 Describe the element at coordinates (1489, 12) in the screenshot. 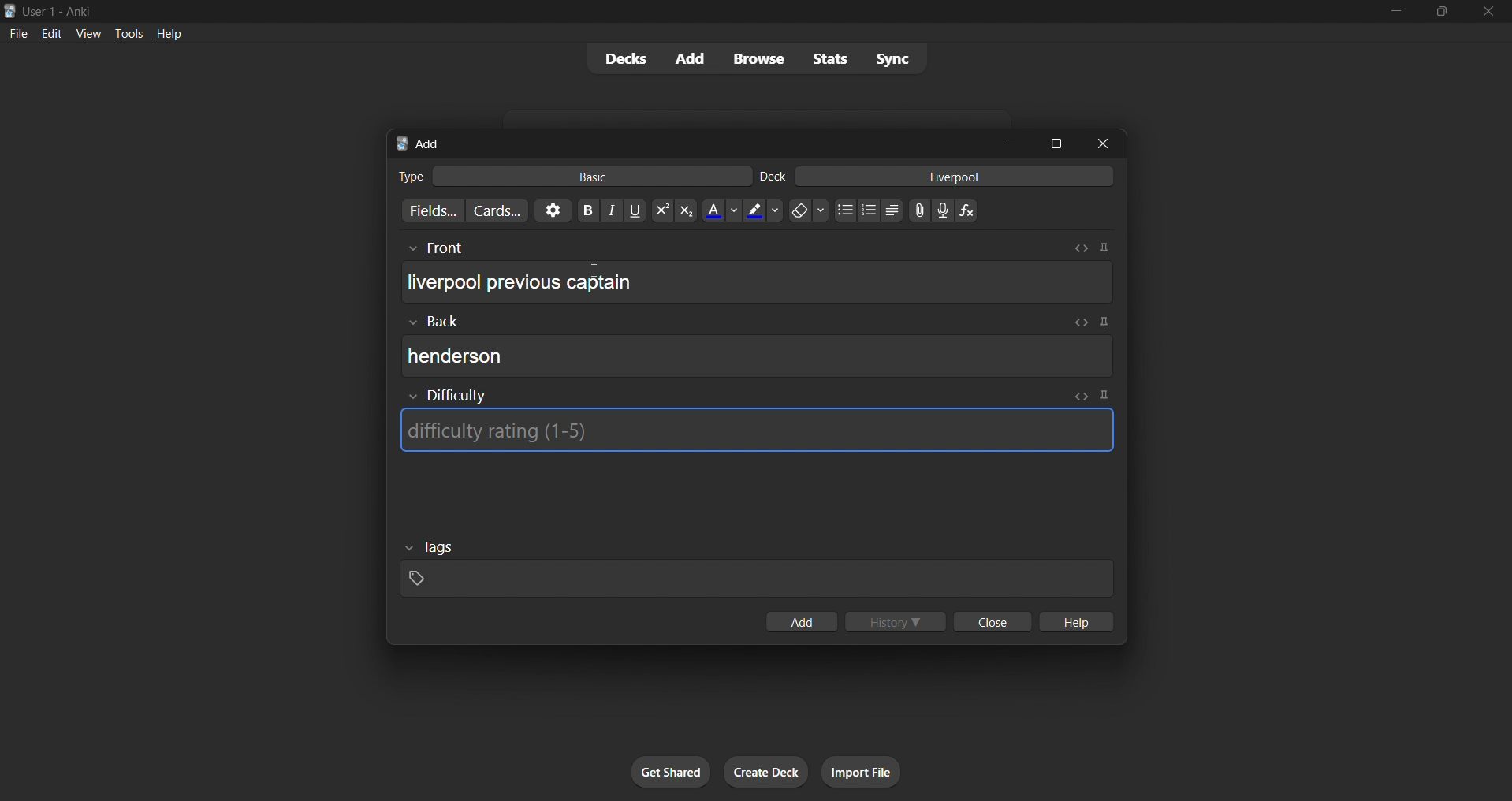

I see `close` at that location.